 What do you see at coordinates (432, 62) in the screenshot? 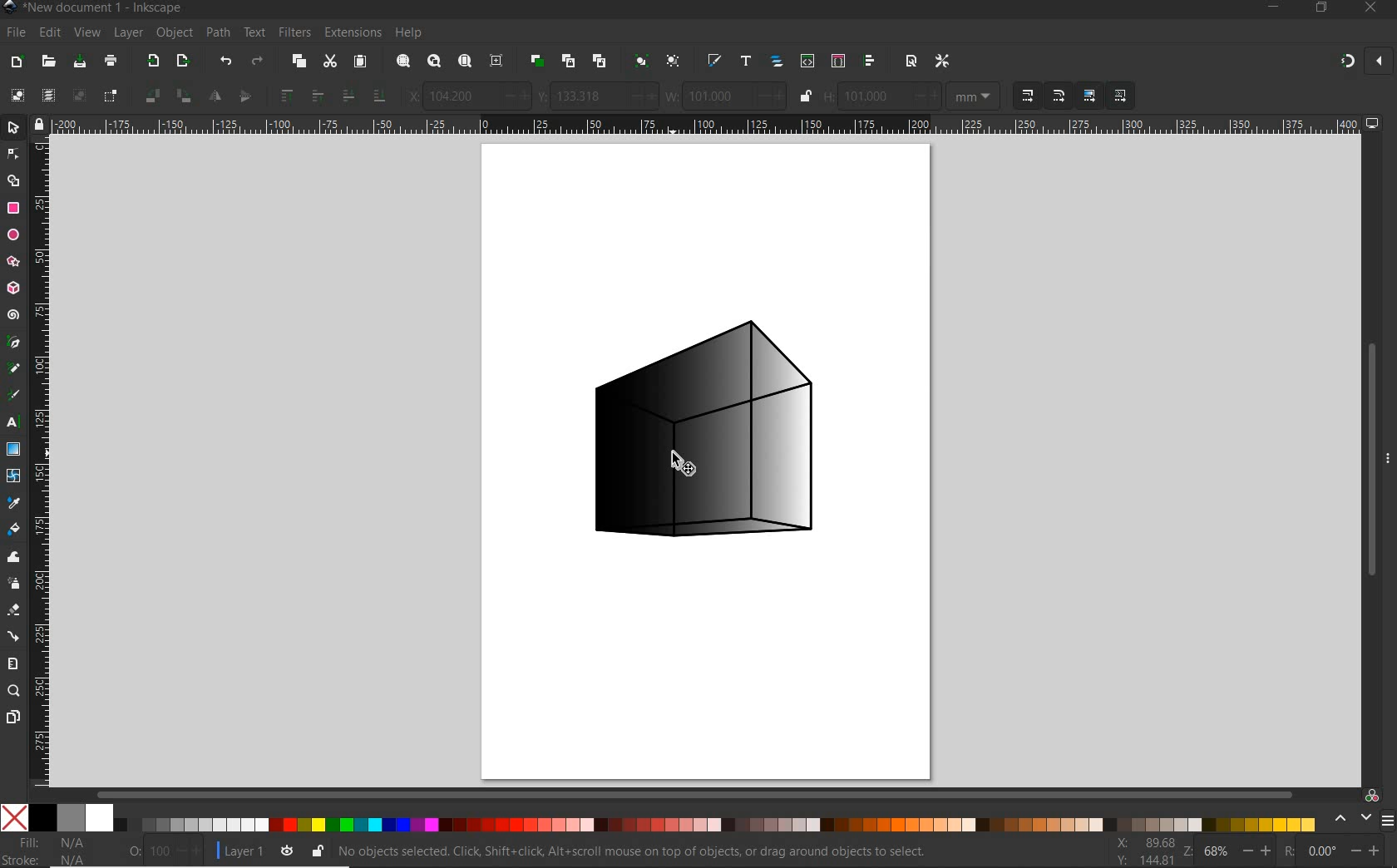
I see `ZOOM DRAWING` at bounding box center [432, 62].